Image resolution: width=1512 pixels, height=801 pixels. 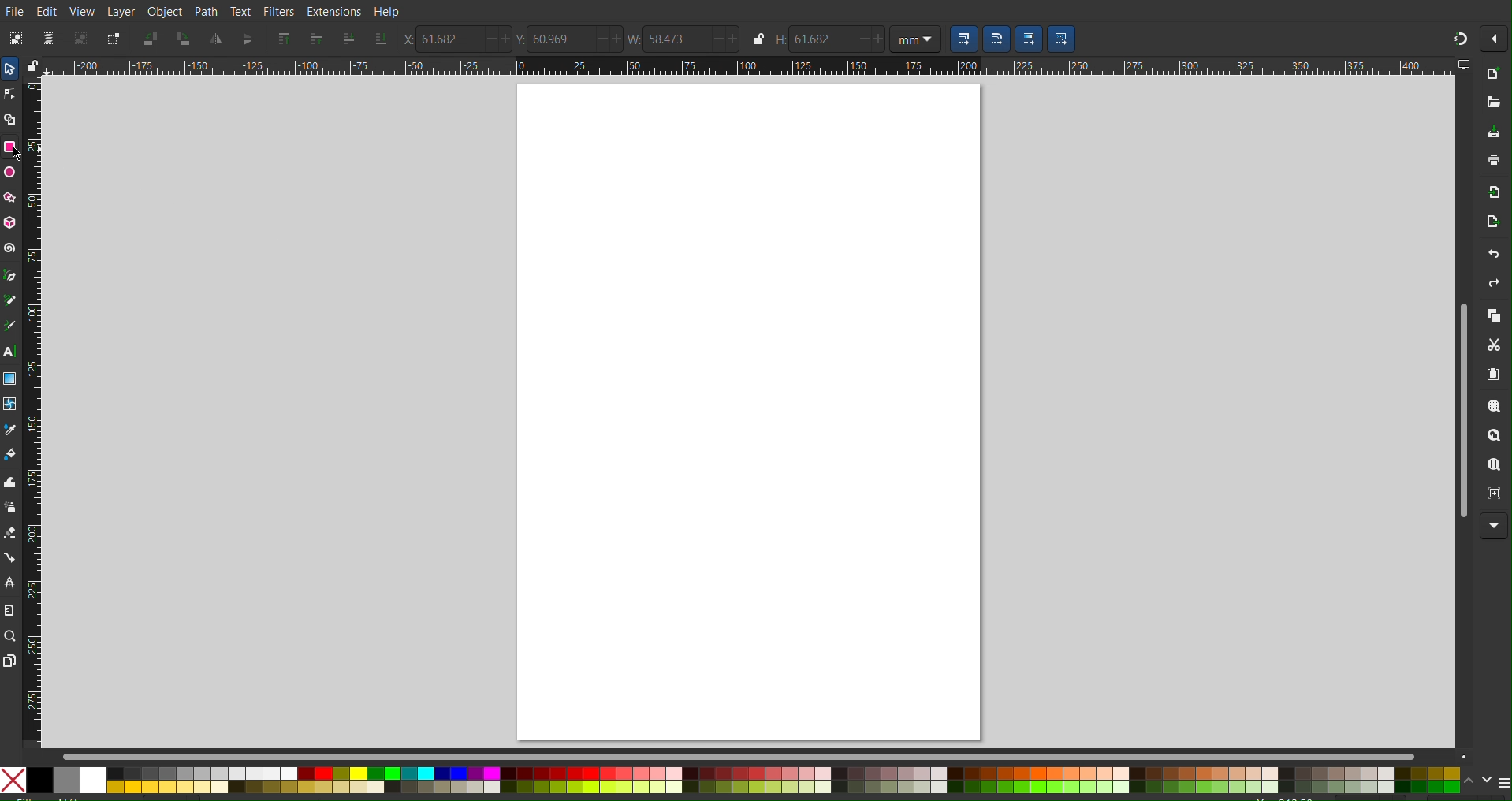 I want to click on Import Bitmap, so click(x=1489, y=195).